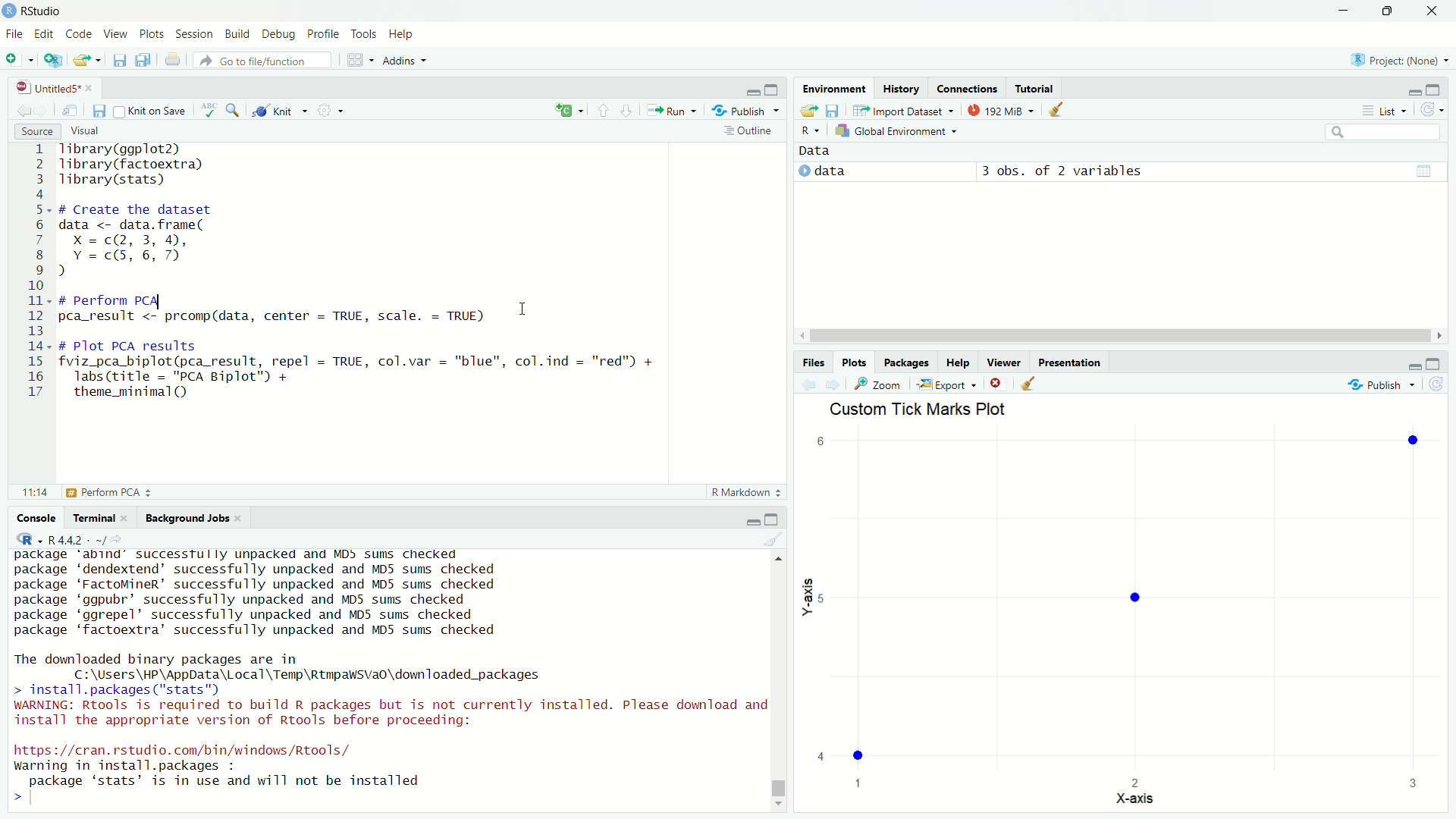 The width and height of the screenshot is (1456, 819). Describe the element at coordinates (27, 539) in the screenshot. I see `R language` at that location.